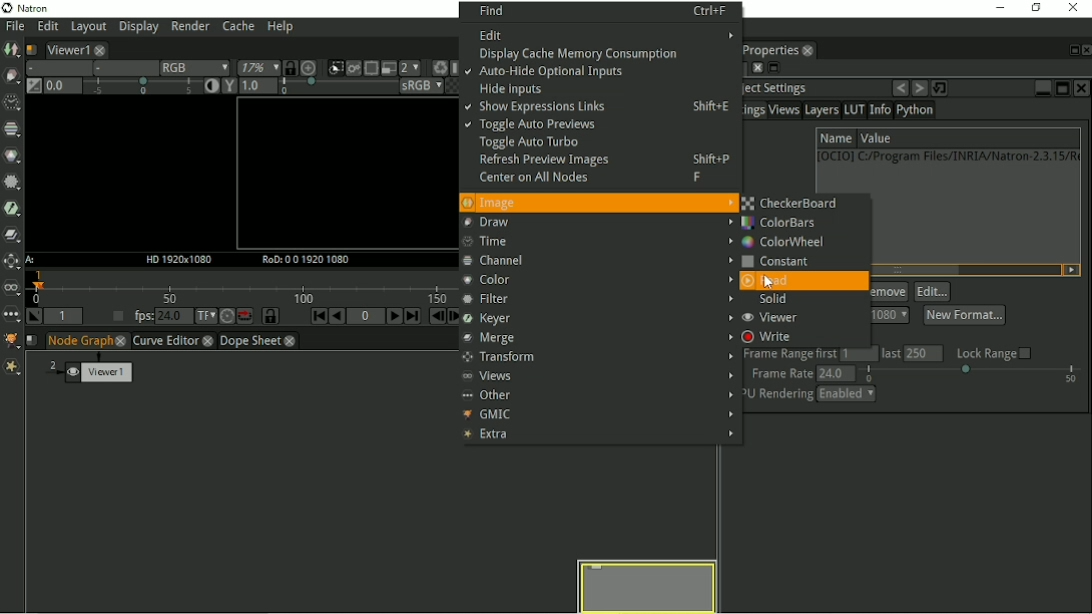 The width and height of the screenshot is (1092, 614). I want to click on Viewer1, so click(73, 48).